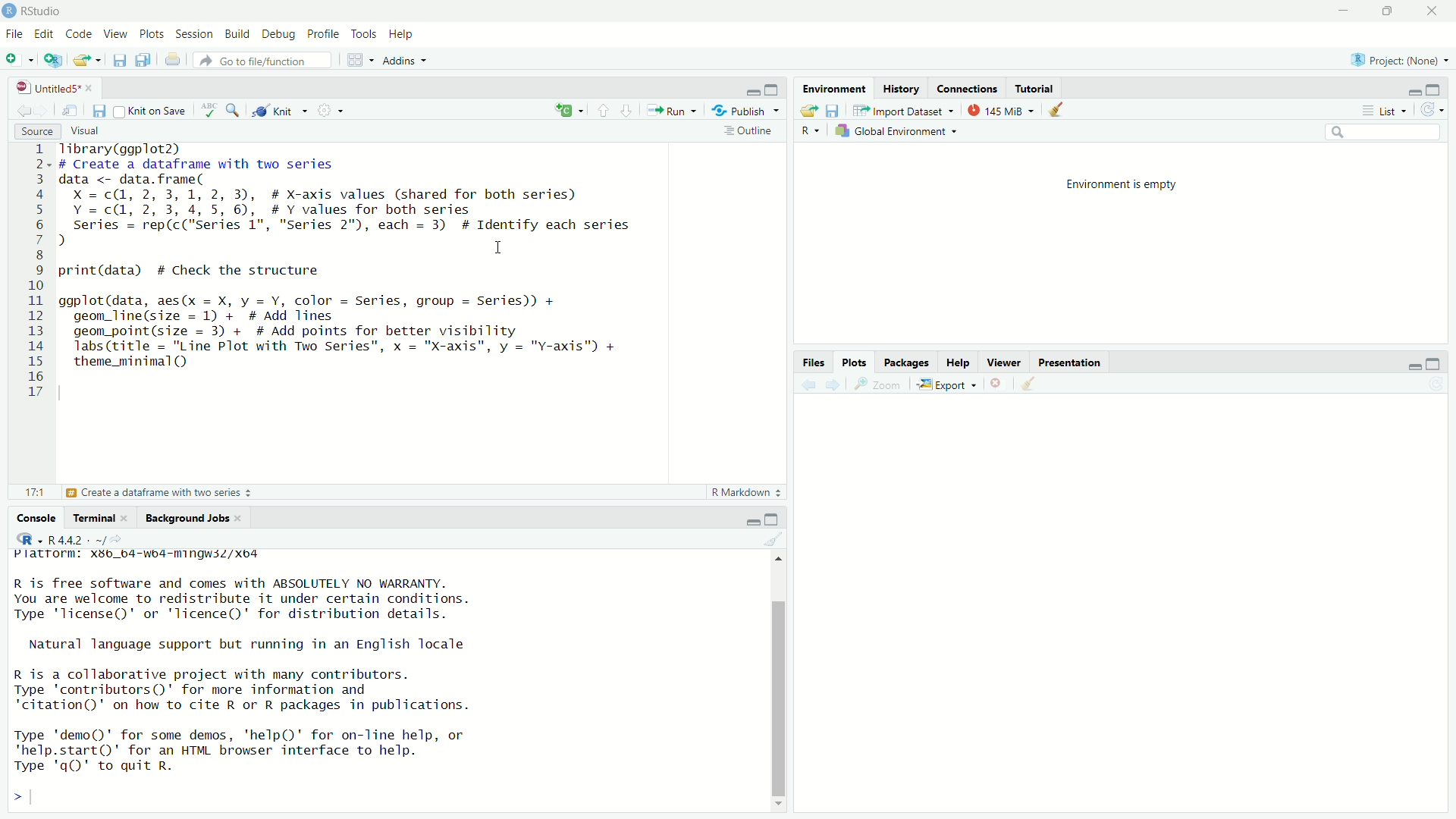 Image resolution: width=1456 pixels, height=819 pixels. I want to click on input cursor, so click(35, 795).